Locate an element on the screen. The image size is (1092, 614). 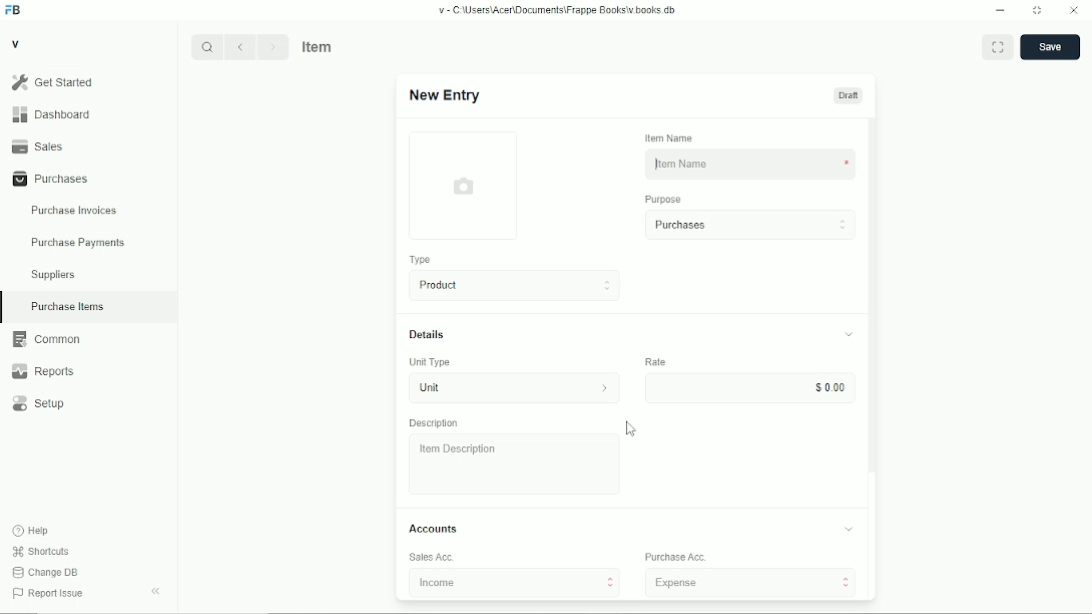
toggle sidebar is located at coordinates (157, 591).